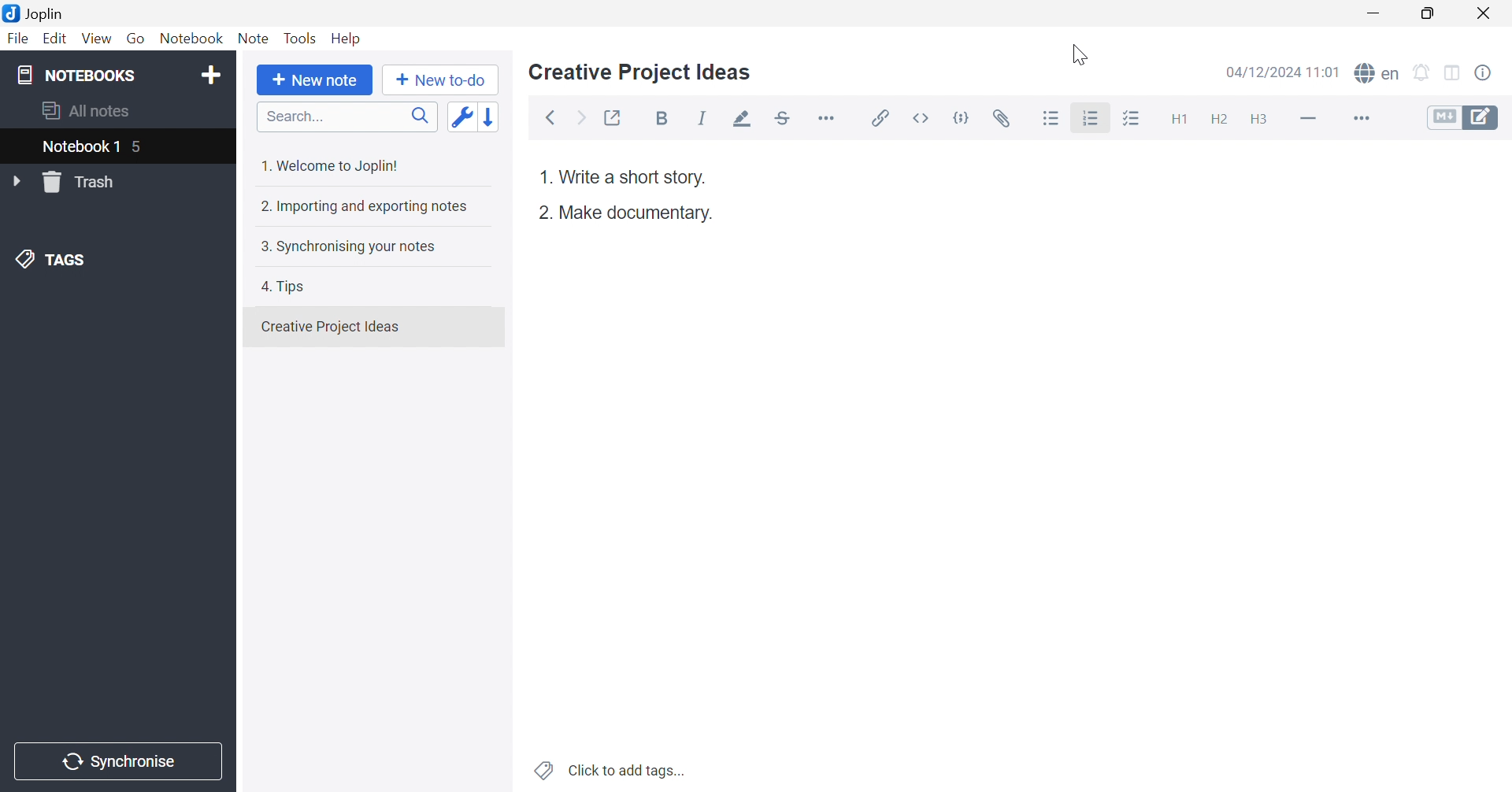 The image size is (1512, 792). What do you see at coordinates (1487, 14) in the screenshot?
I see `Close` at bounding box center [1487, 14].